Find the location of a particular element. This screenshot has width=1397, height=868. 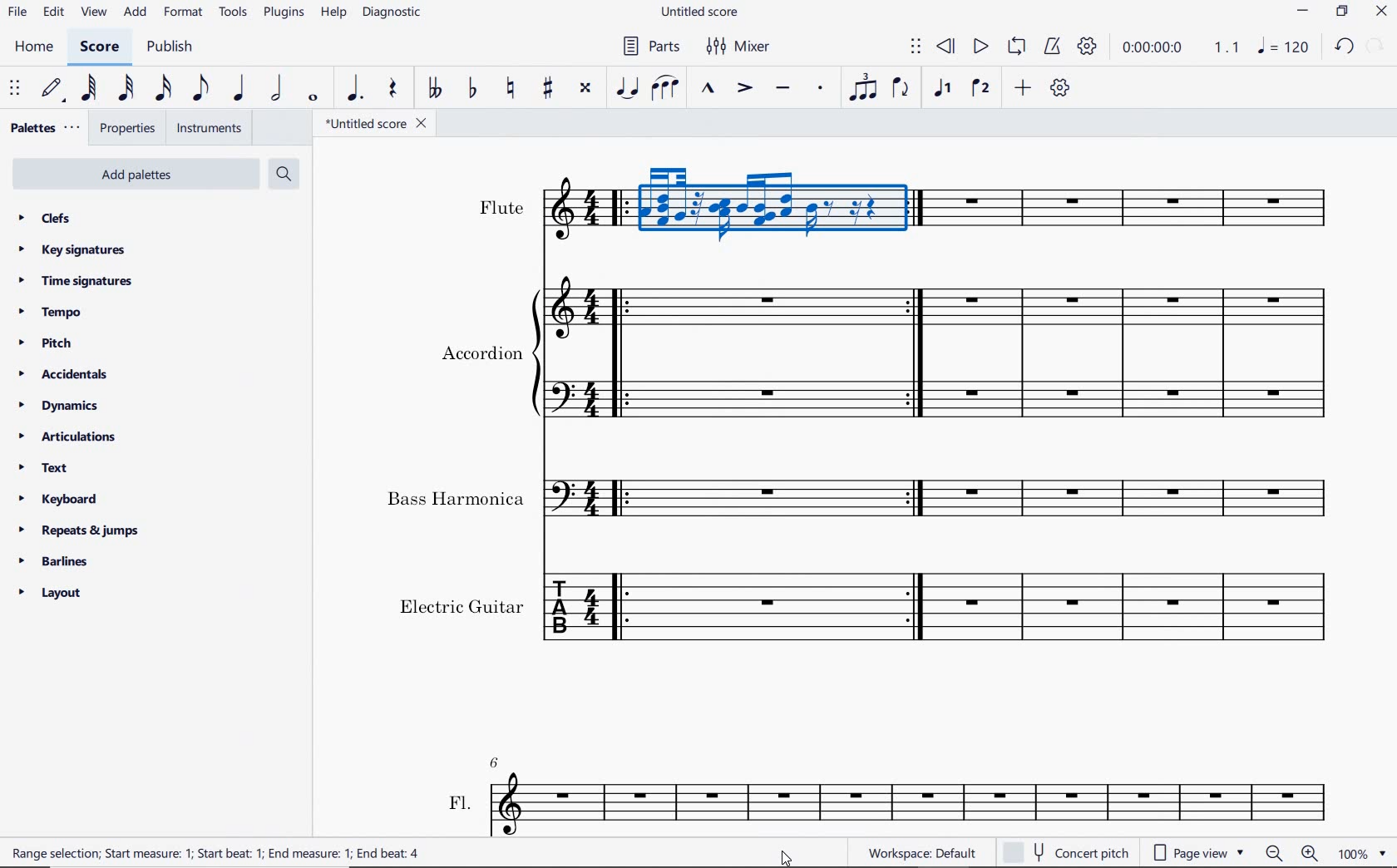

add is located at coordinates (136, 13).